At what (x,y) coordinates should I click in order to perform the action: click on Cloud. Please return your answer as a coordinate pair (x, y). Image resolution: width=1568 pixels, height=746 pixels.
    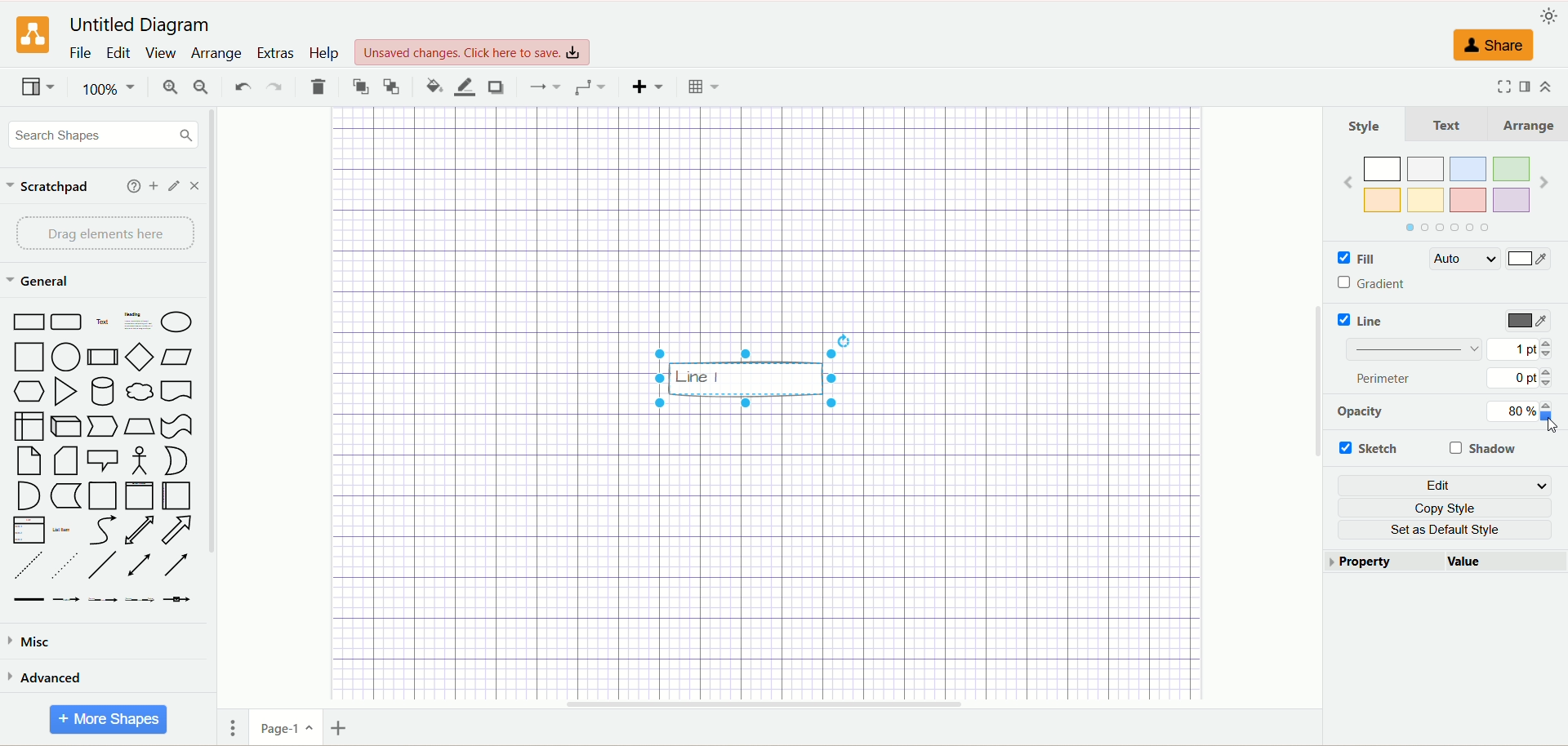
    Looking at the image, I should click on (140, 389).